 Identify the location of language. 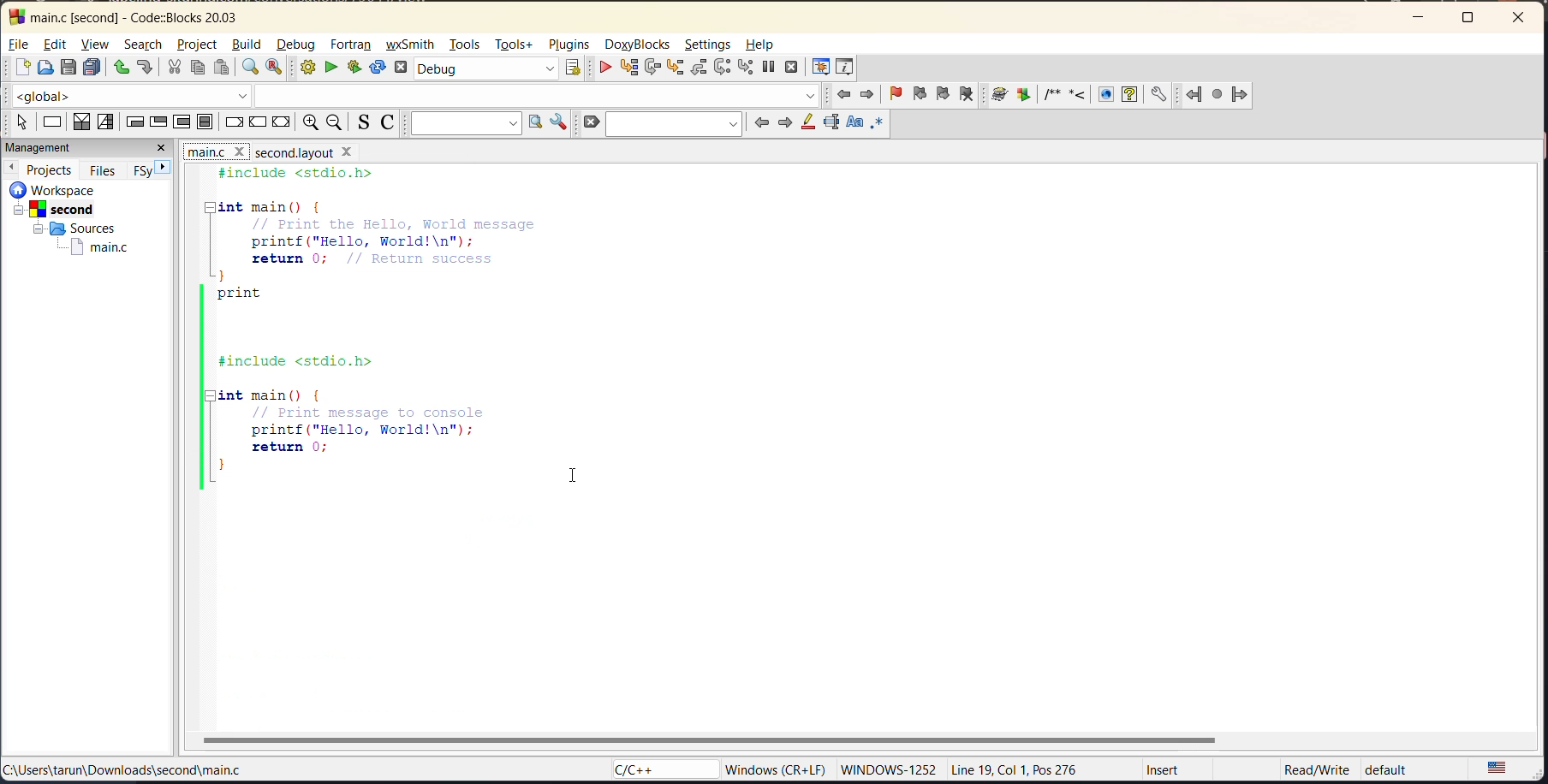
(664, 768).